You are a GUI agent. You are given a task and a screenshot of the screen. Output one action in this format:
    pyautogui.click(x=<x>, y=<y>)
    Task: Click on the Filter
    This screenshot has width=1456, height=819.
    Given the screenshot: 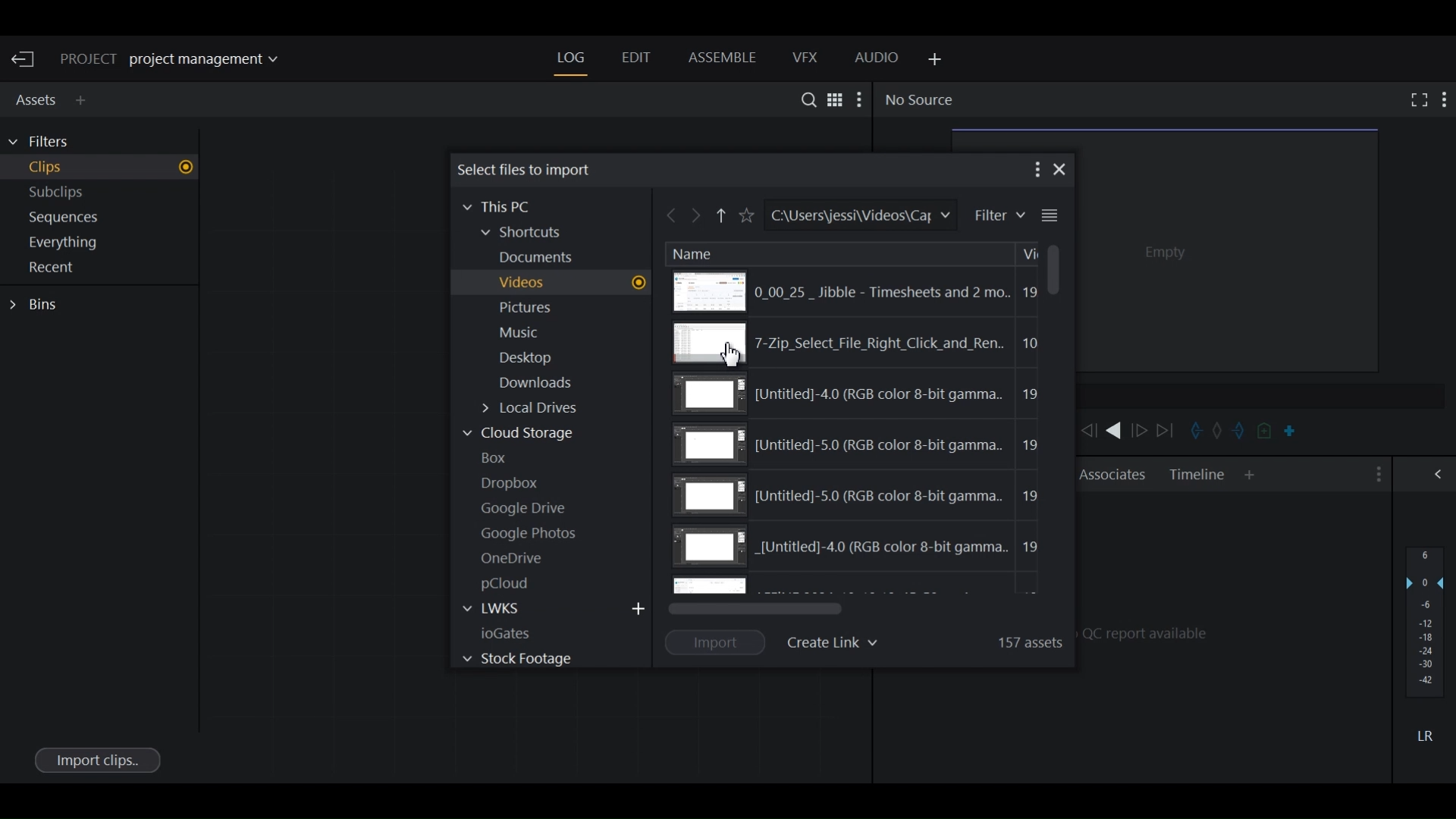 What is the action you would take?
    pyautogui.click(x=998, y=215)
    